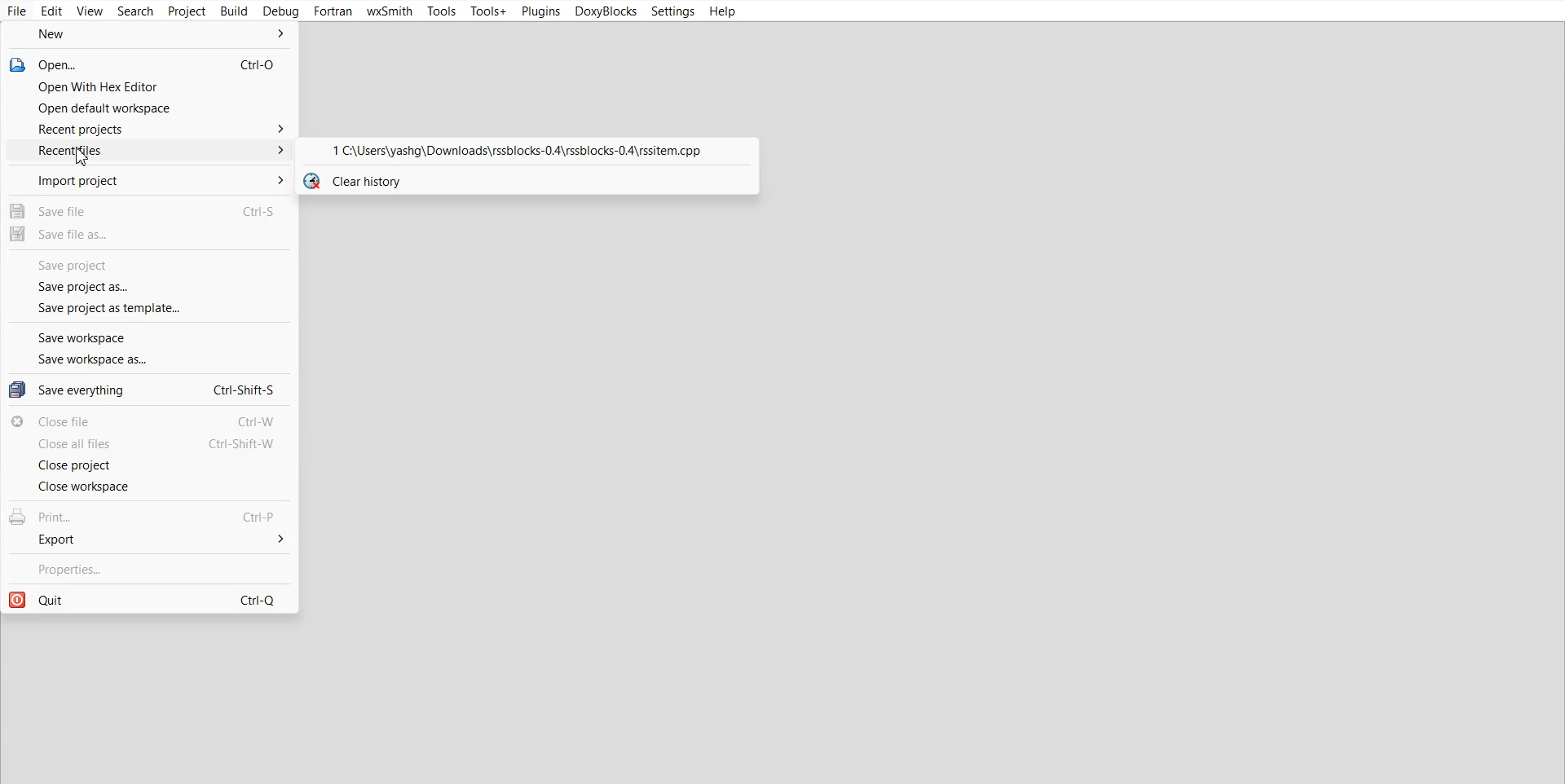 The width and height of the screenshot is (1565, 784). I want to click on Debug, so click(281, 11).